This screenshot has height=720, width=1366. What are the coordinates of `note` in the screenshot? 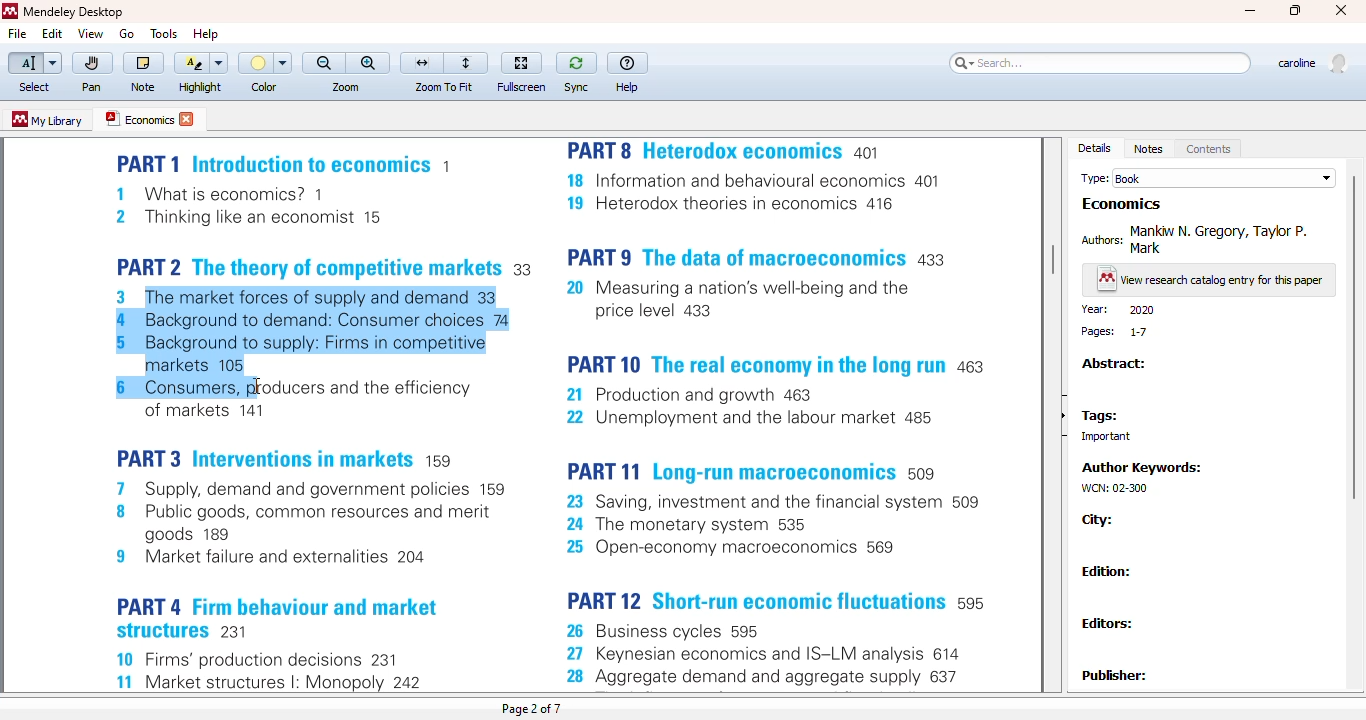 It's located at (143, 64).